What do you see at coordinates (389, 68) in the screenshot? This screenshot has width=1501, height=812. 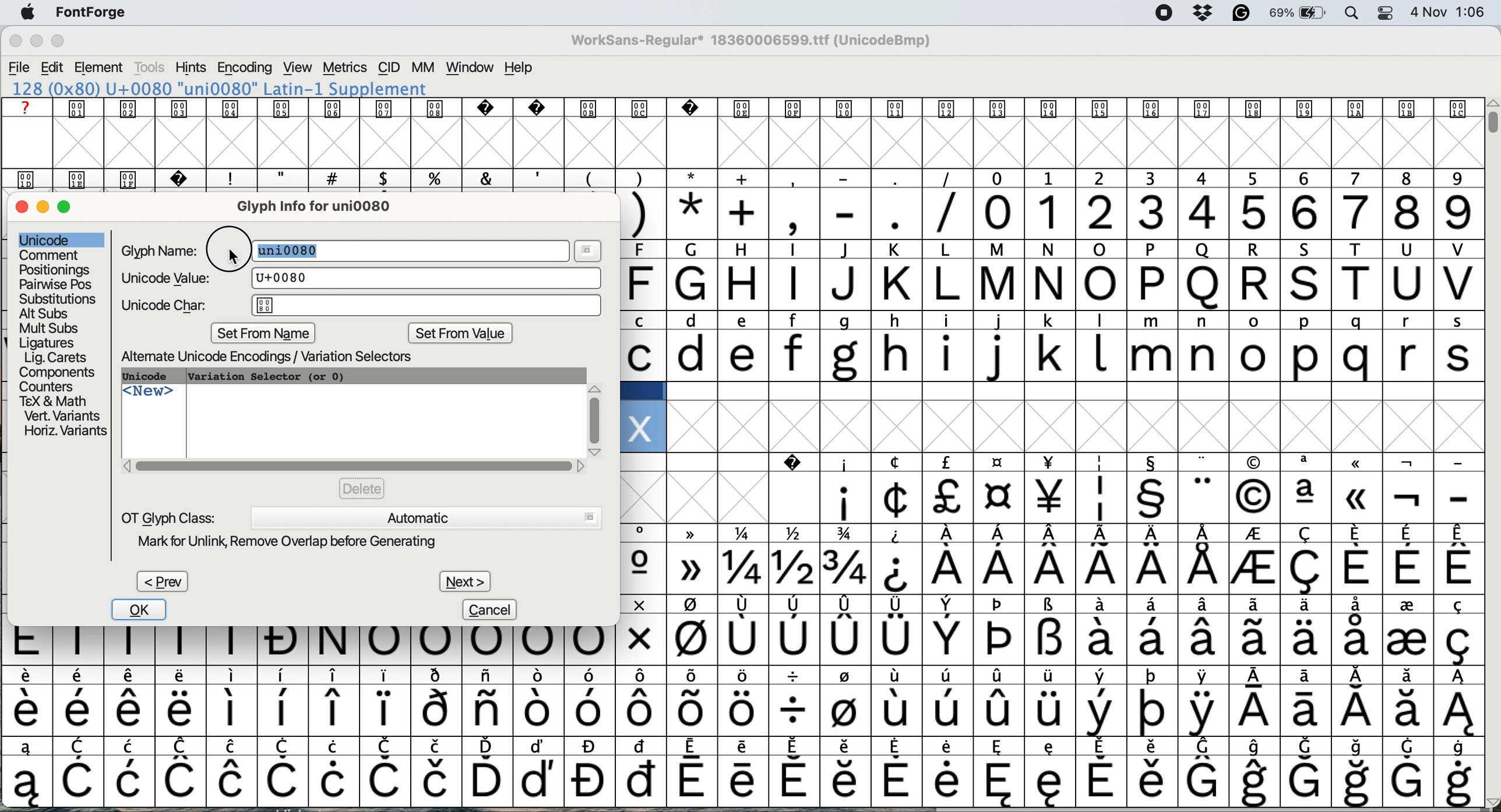 I see `cid` at bounding box center [389, 68].